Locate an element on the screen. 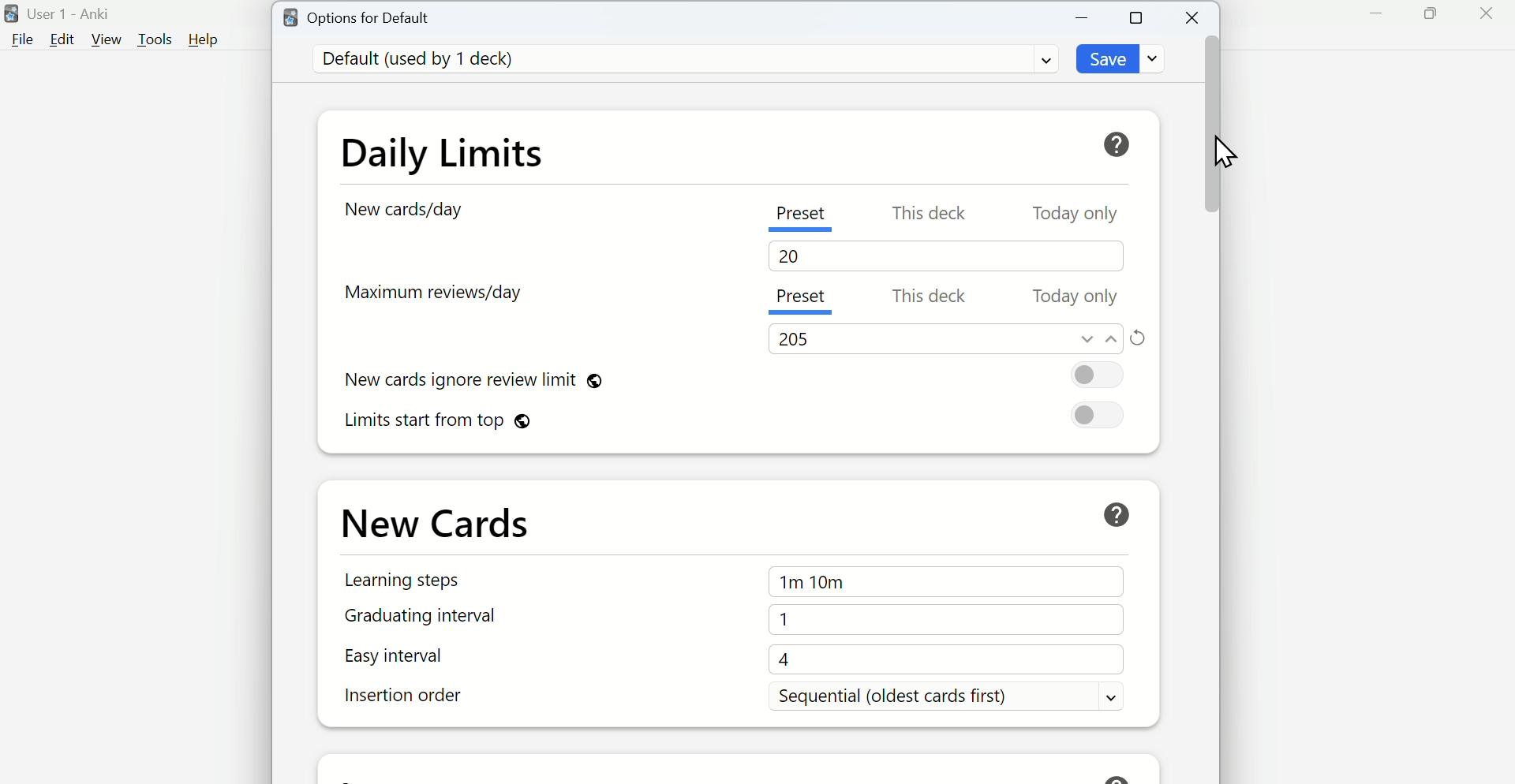  Sequential (Oldest cards first) is located at coordinates (945, 695).